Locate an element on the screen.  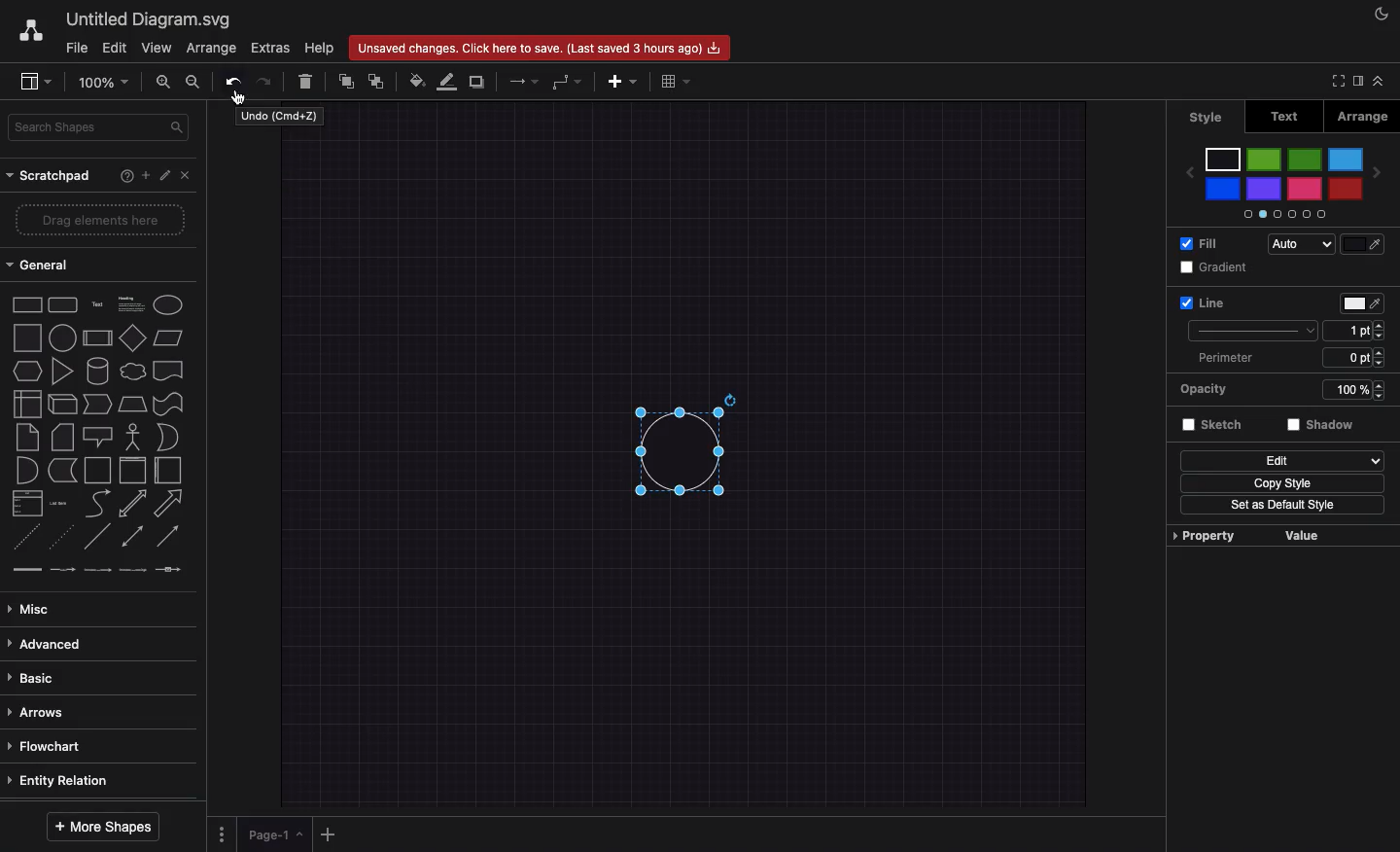
Arrows is located at coordinates (43, 710).